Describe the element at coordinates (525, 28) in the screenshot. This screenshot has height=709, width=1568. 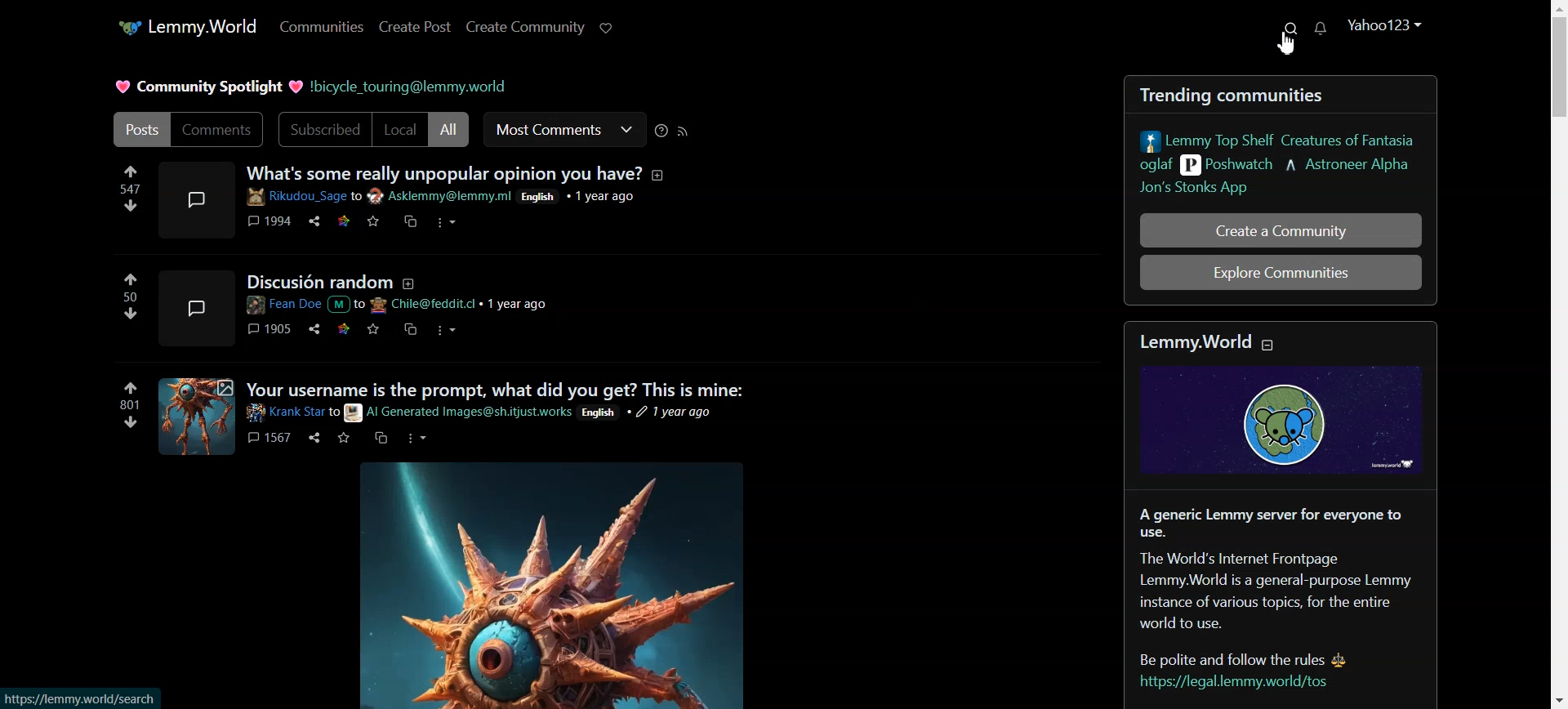
I see `Create Community ` at that location.